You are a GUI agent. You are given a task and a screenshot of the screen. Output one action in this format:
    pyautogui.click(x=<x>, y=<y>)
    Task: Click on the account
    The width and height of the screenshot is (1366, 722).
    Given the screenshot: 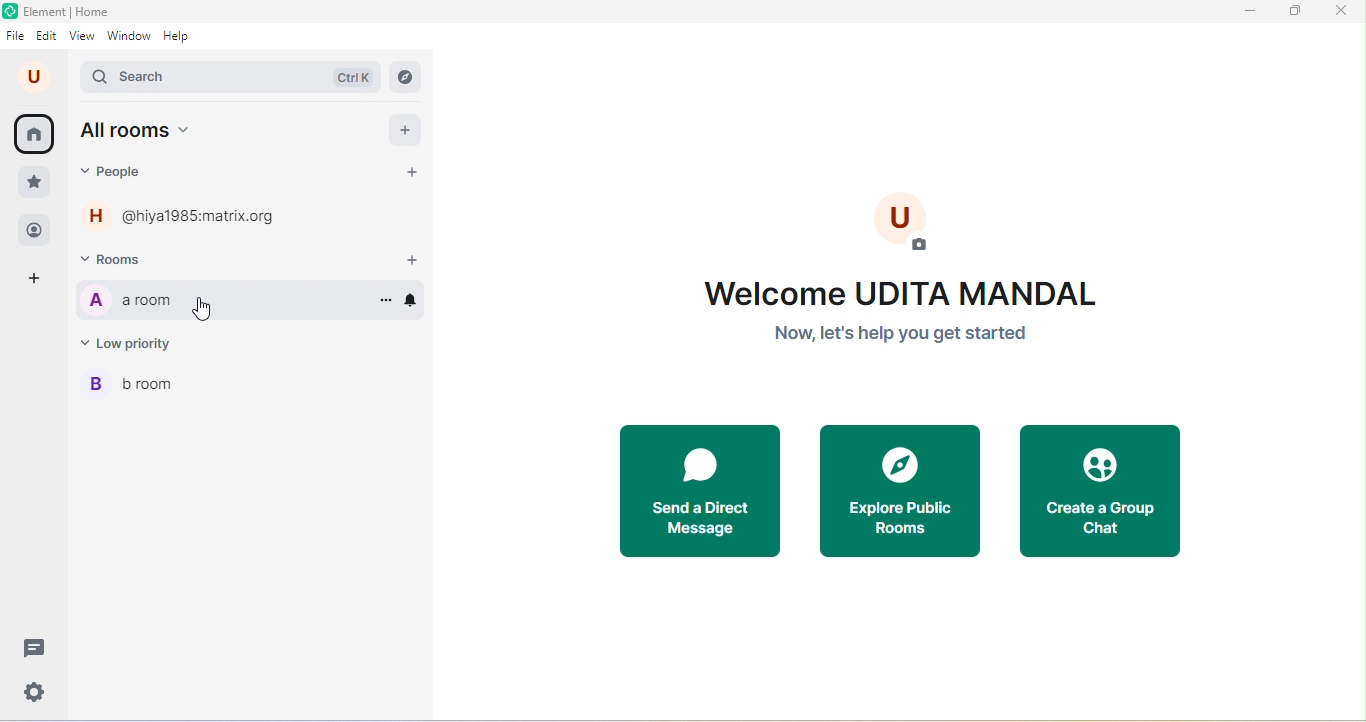 What is the action you would take?
    pyautogui.click(x=38, y=76)
    